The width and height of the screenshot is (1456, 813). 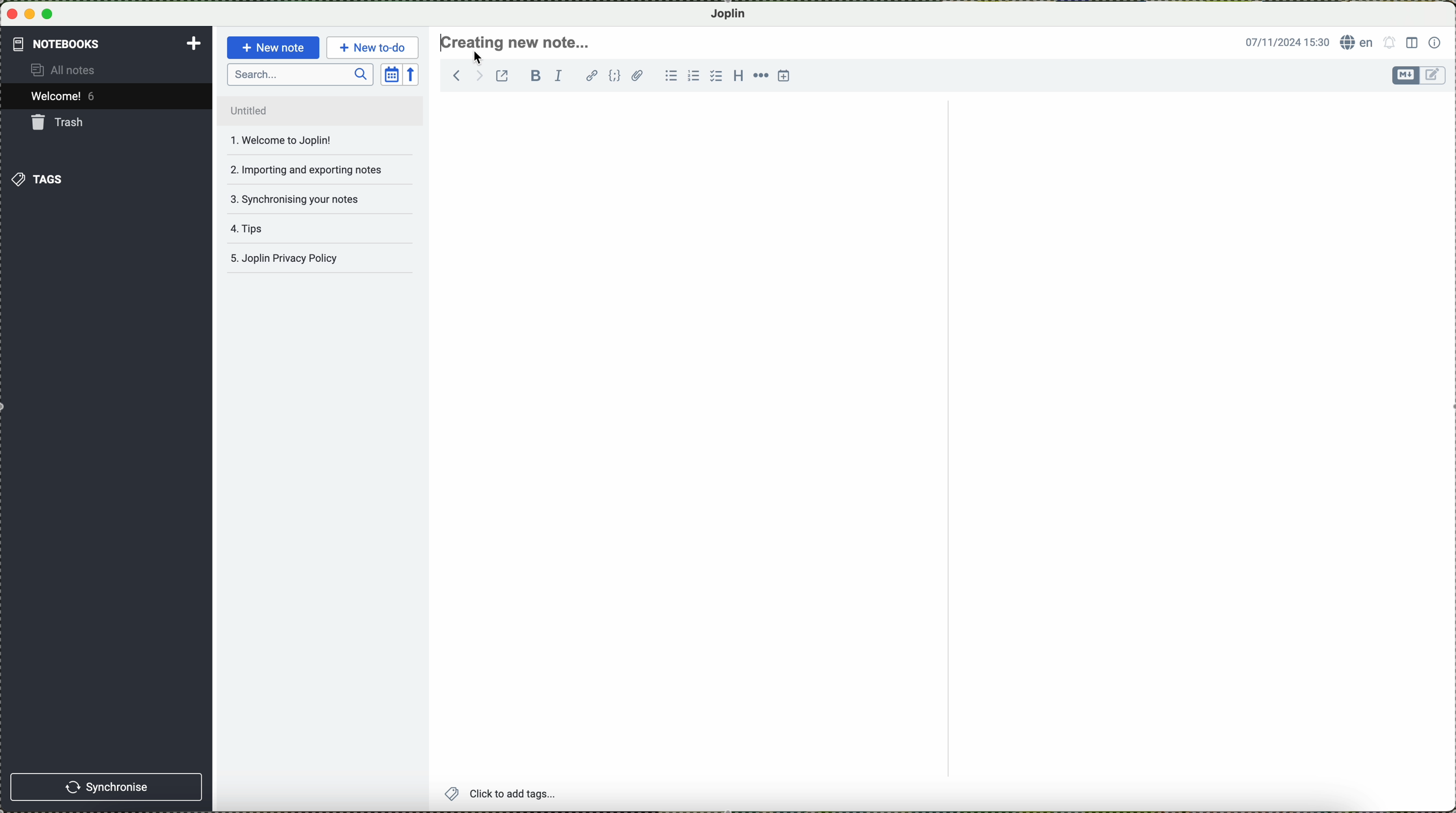 I want to click on hyperlink, so click(x=591, y=75).